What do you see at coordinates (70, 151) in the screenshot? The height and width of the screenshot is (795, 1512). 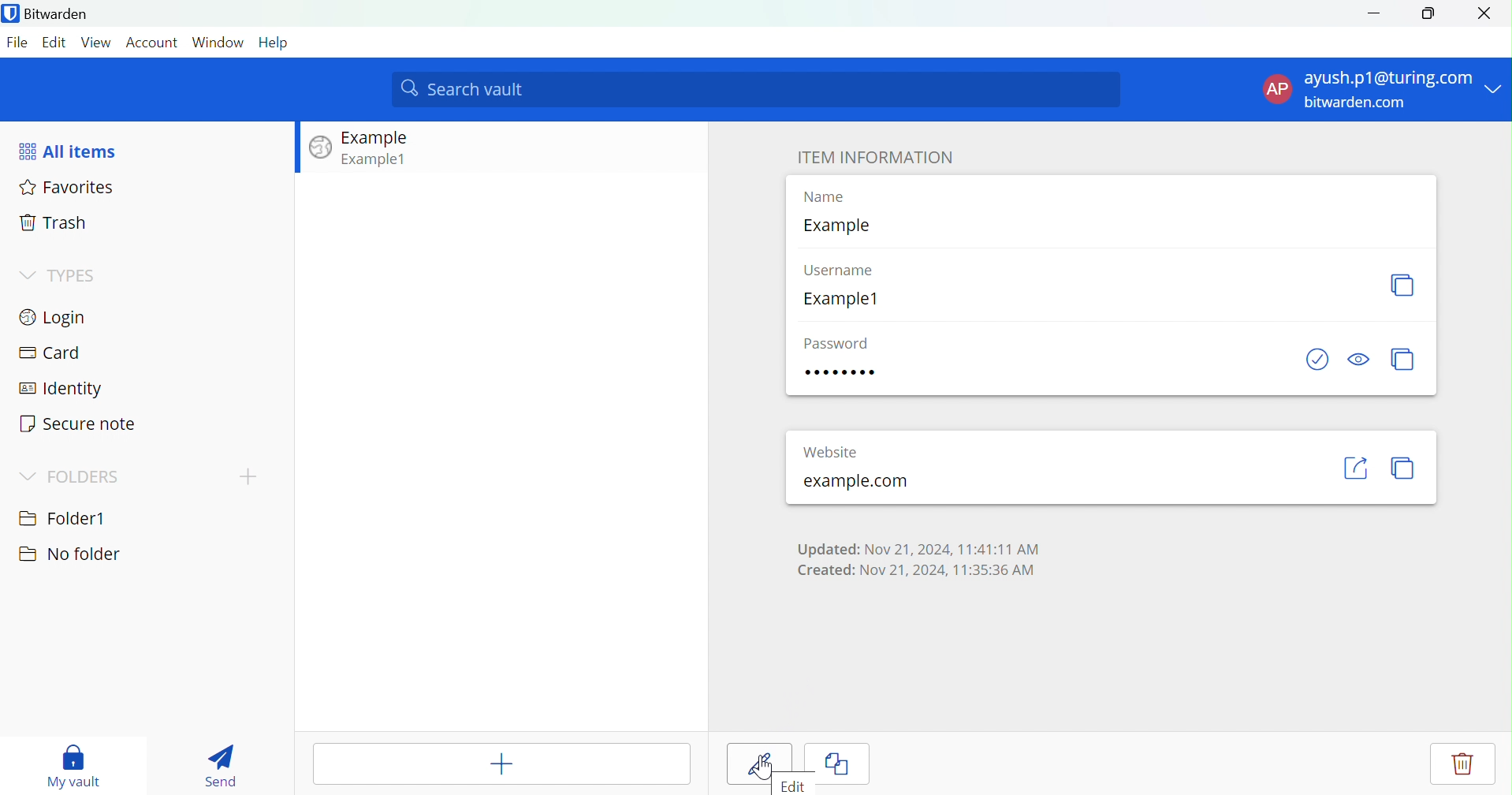 I see `All items` at bounding box center [70, 151].